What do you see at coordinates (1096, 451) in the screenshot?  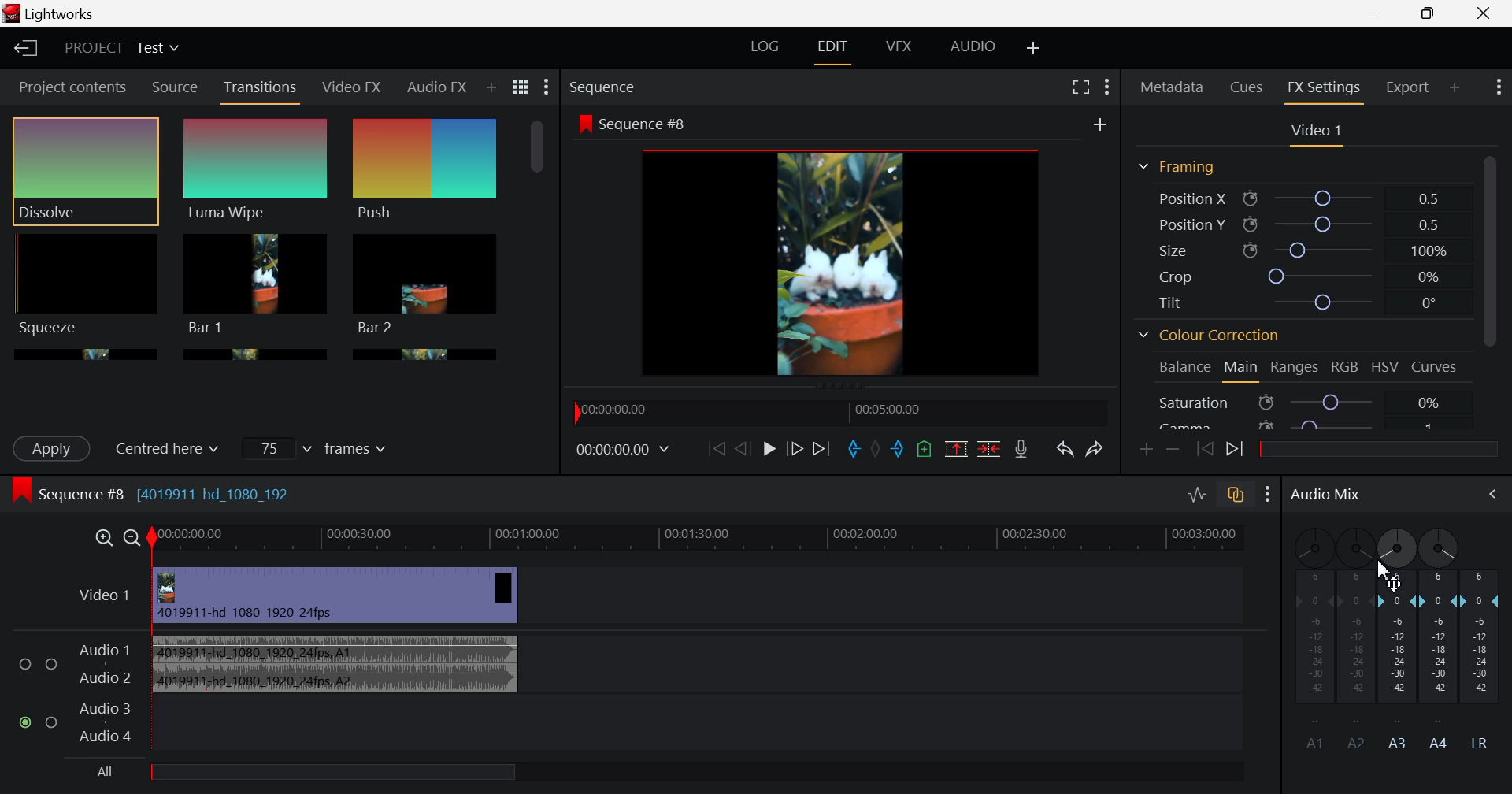 I see `Redo` at bounding box center [1096, 451].